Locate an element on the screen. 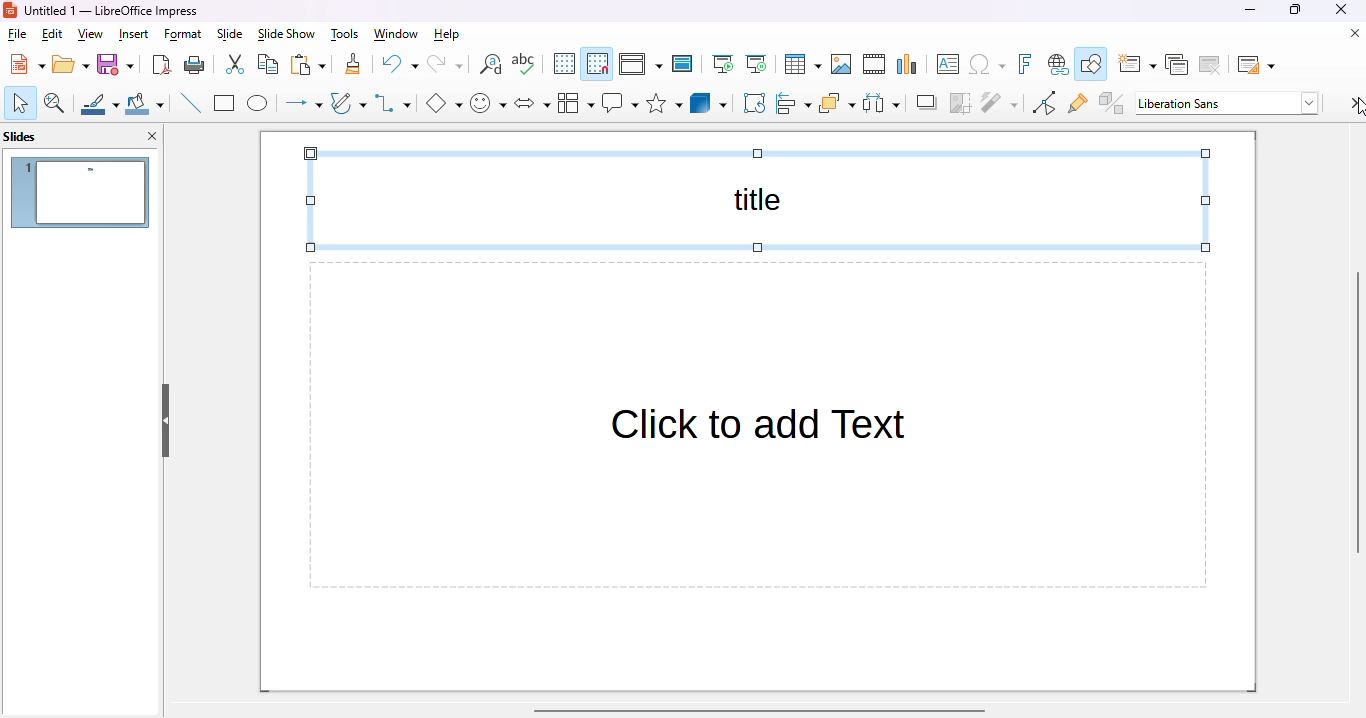 This screenshot has height=718, width=1366. lines and arrows is located at coordinates (302, 104).